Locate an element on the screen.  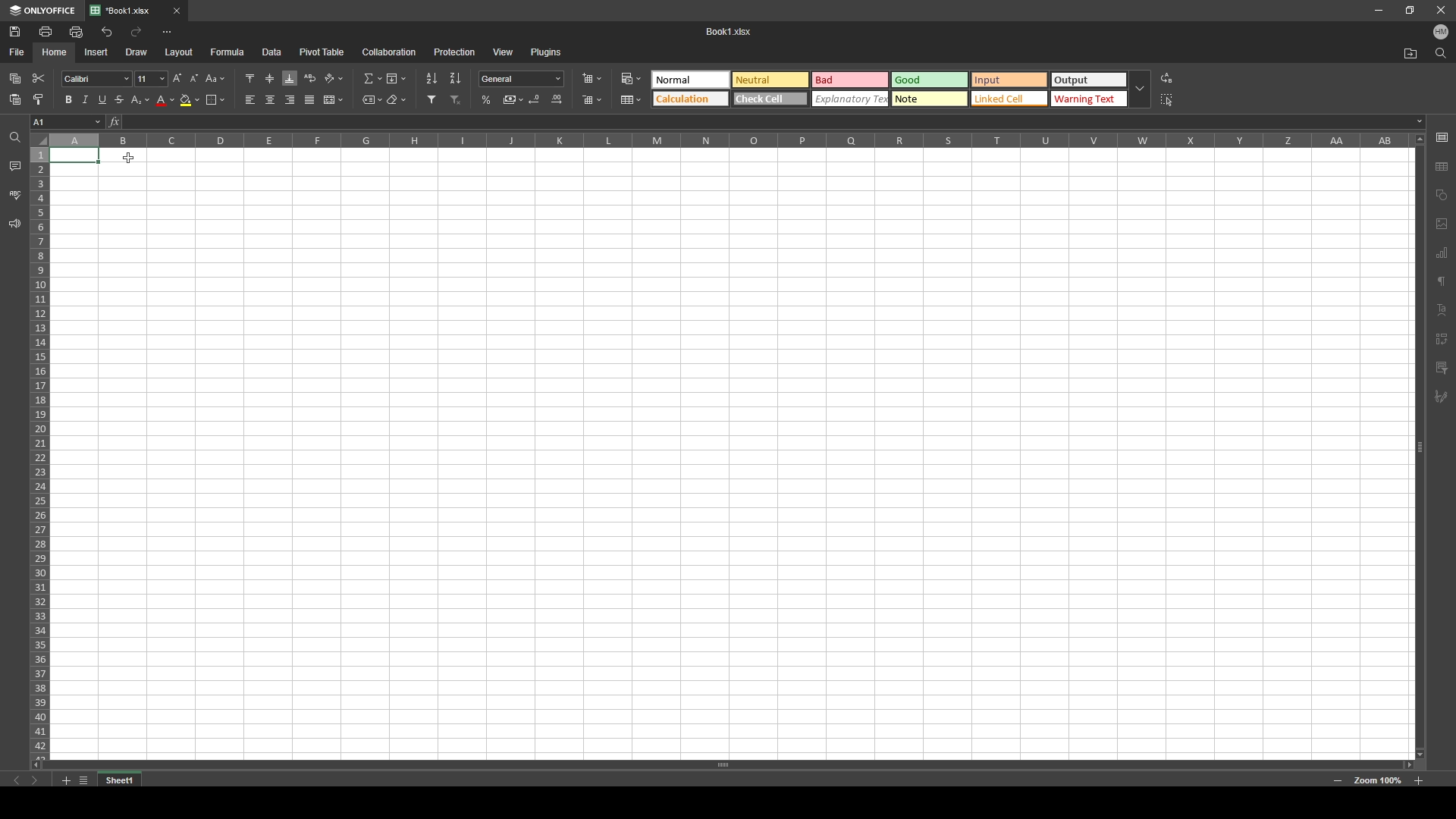
sheet list is located at coordinates (83, 780).